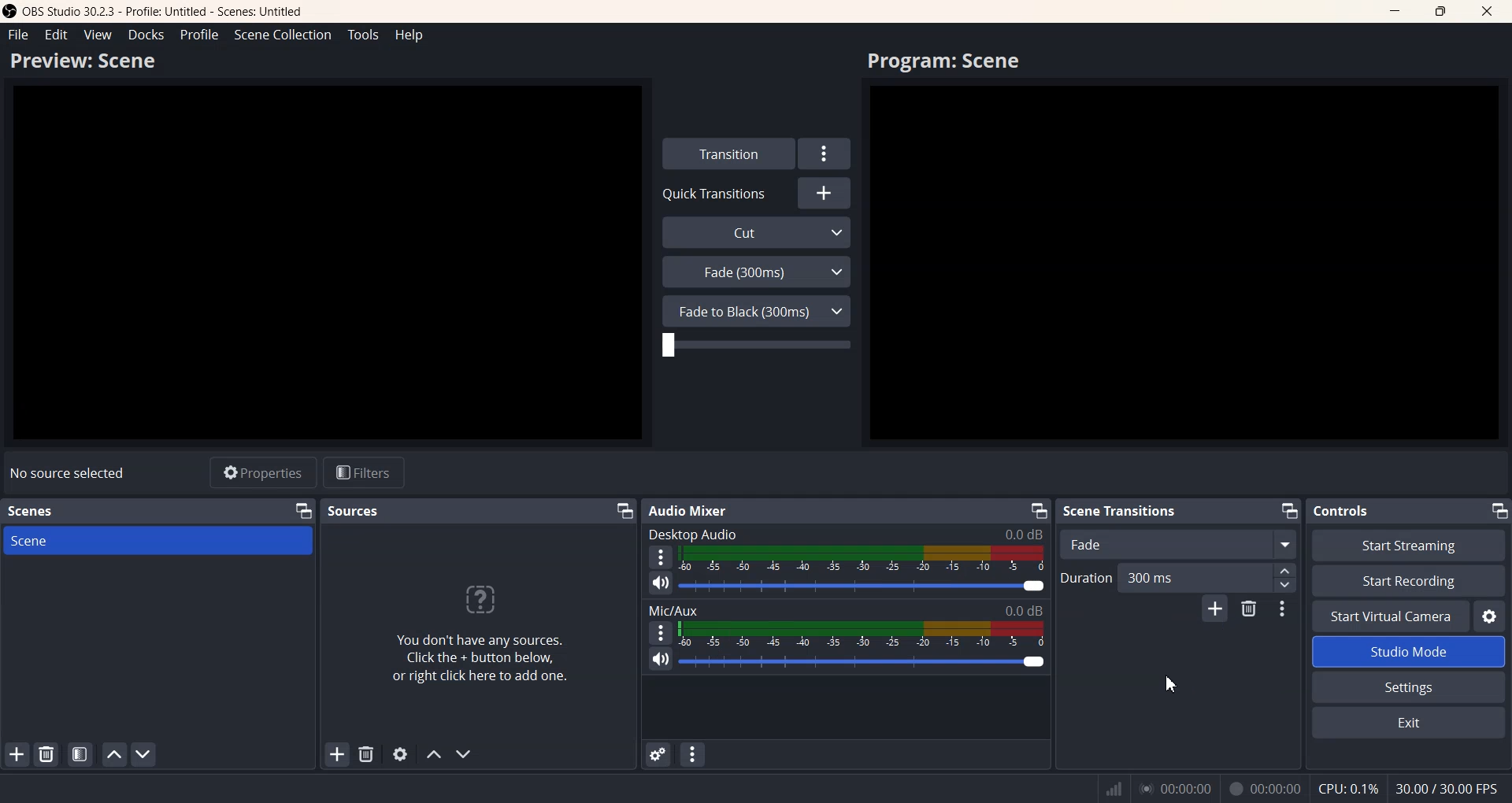 This screenshot has height=803, width=1512. I want to click on Program: Scene, so click(937, 58).